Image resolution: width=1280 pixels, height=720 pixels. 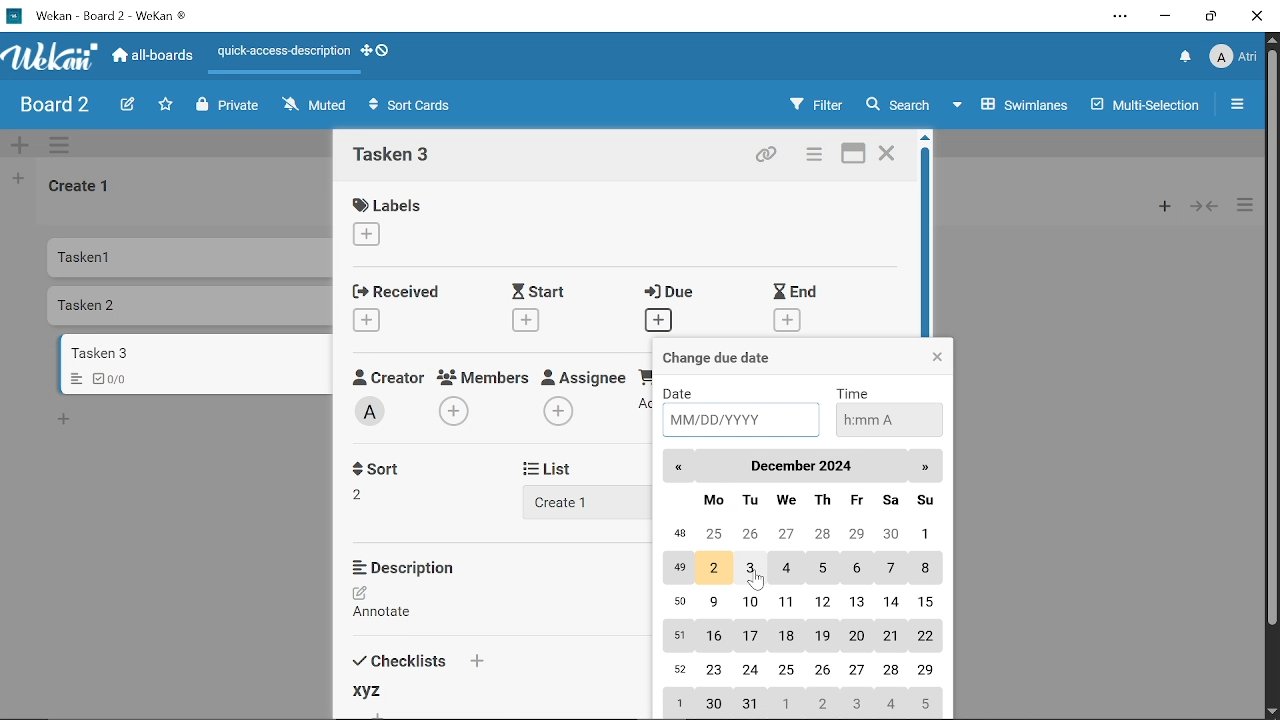 What do you see at coordinates (1159, 206) in the screenshot?
I see `Add card to the top of the list` at bounding box center [1159, 206].